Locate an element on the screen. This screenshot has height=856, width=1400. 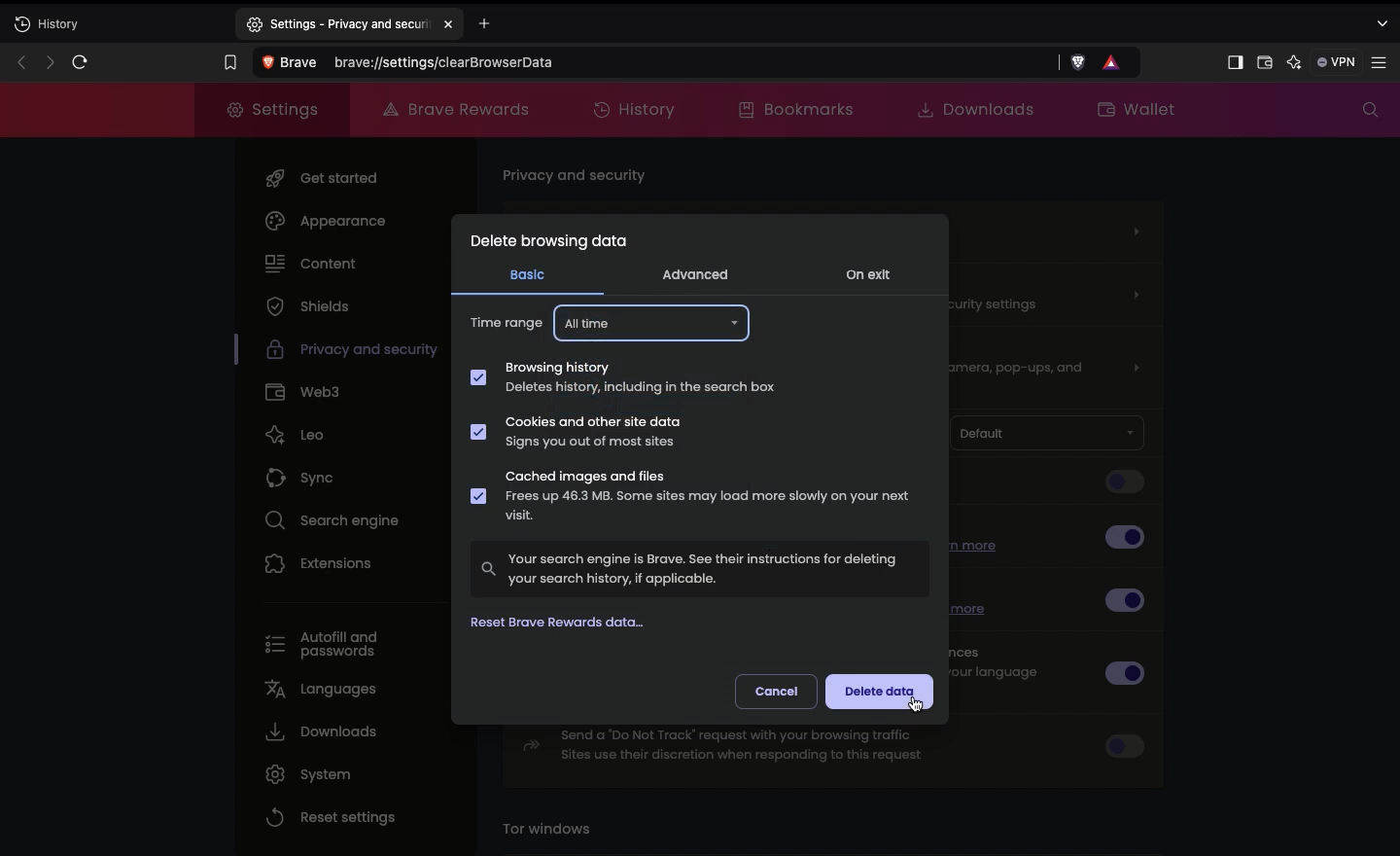
Bookmark is located at coordinates (226, 60).